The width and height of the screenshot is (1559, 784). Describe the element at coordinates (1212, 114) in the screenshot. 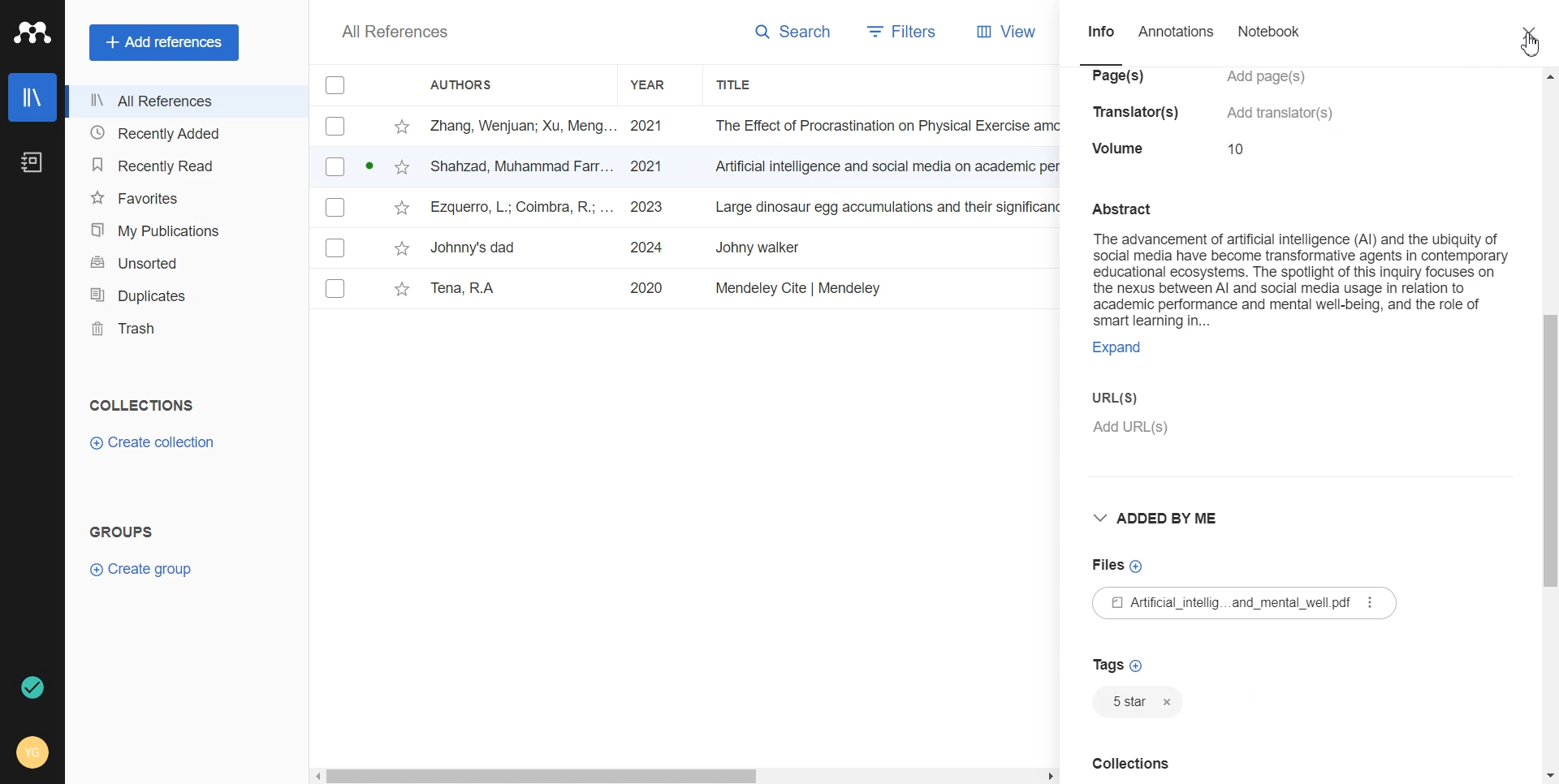

I see `ial intelligence (Al) and the` at that location.